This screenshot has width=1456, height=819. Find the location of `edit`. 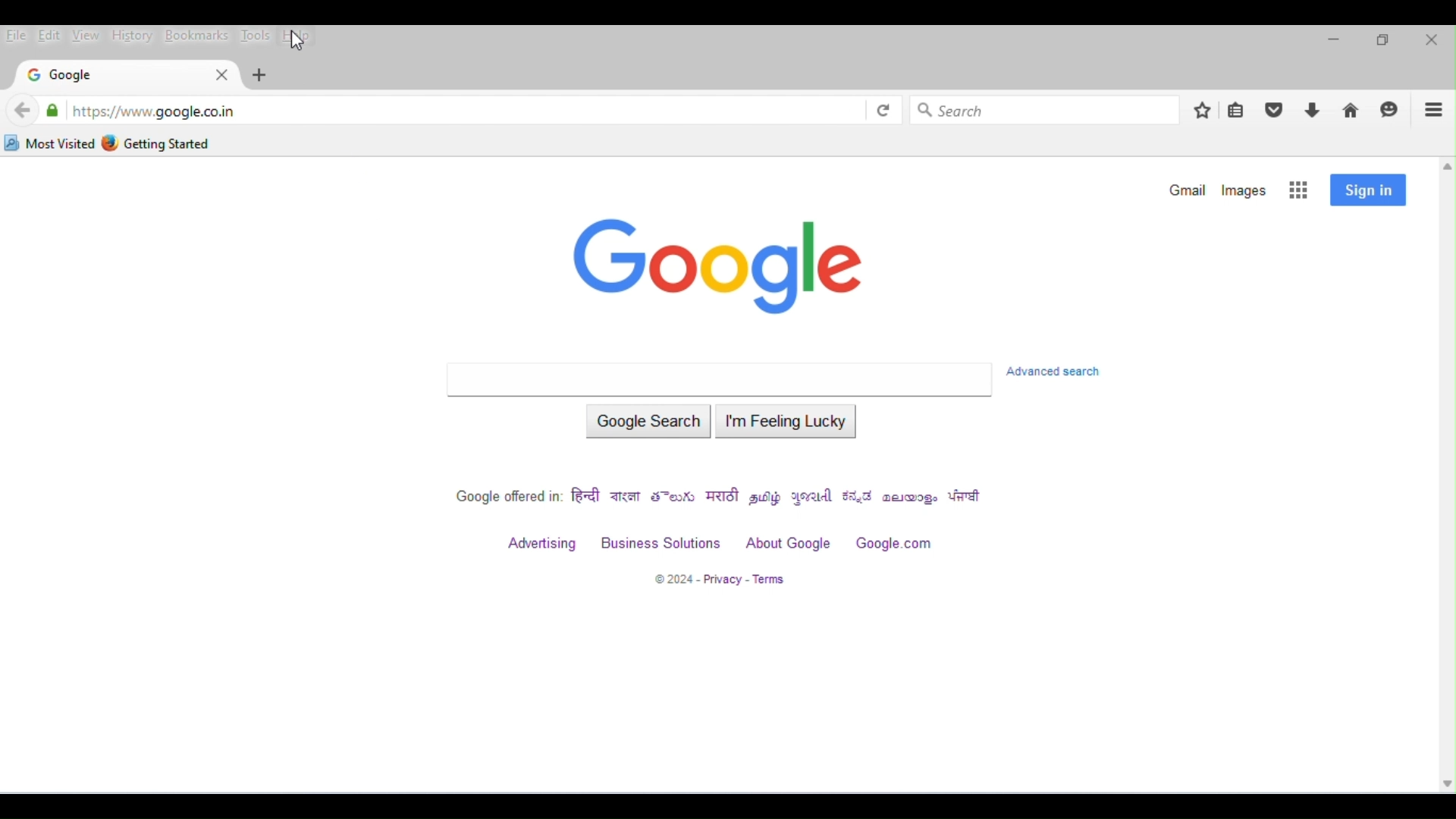

edit is located at coordinates (49, 35).